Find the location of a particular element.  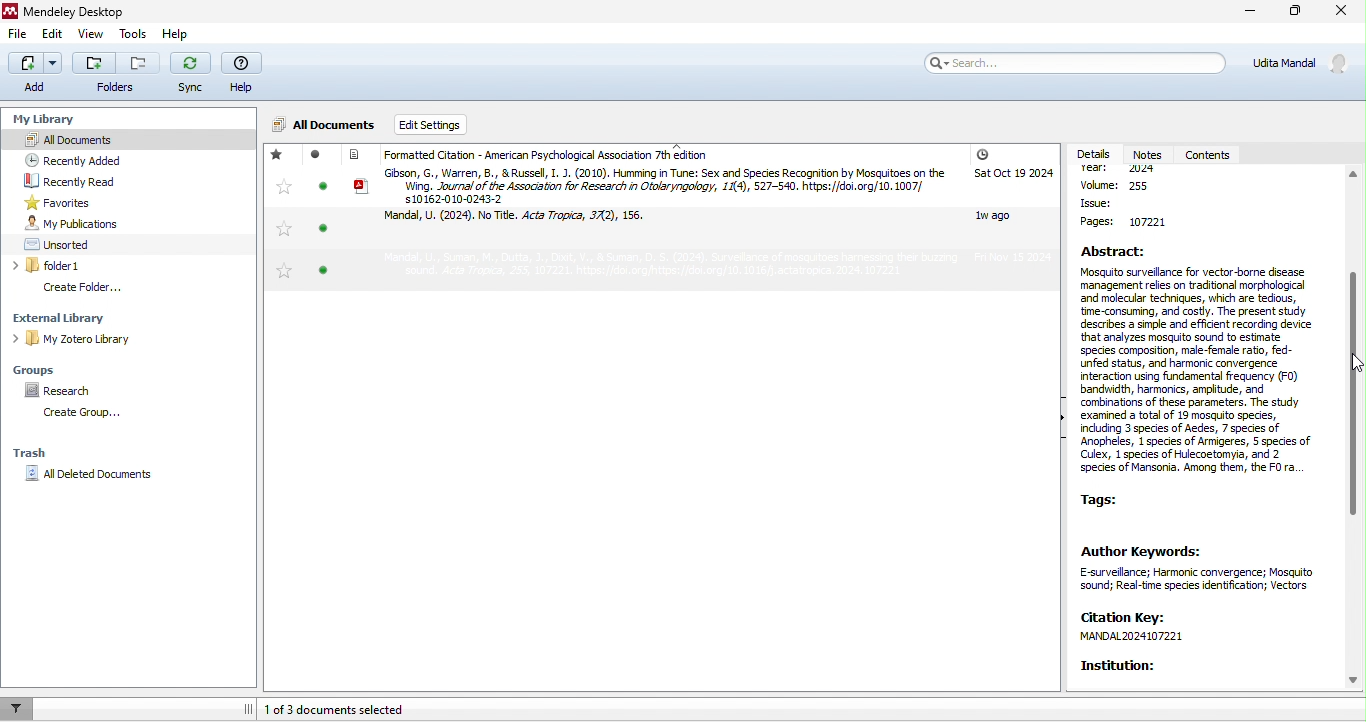

article by Mandal et al, 2024 is located at coordinates (525, 221).